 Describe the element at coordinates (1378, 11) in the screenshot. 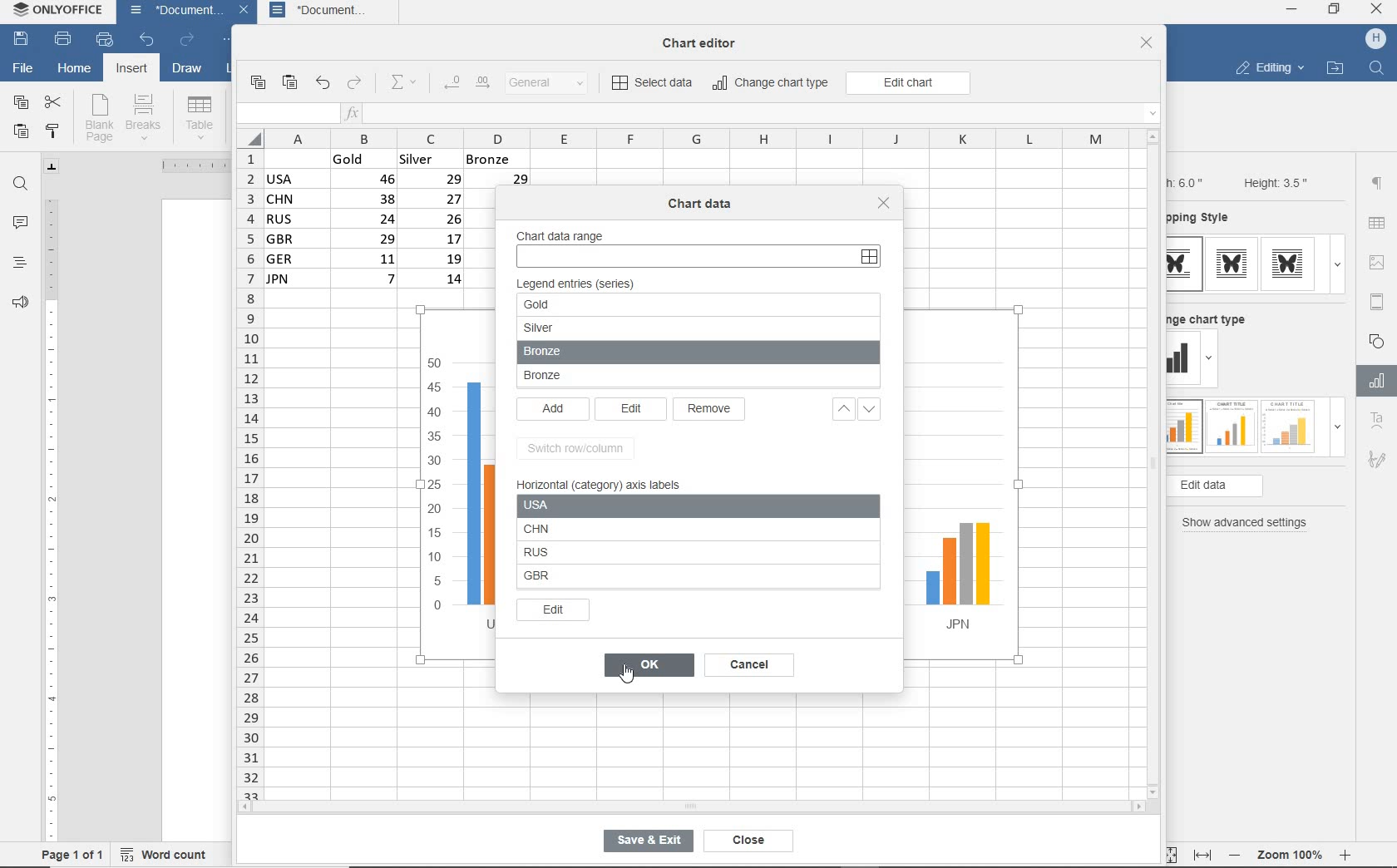

I see `close` at that location.